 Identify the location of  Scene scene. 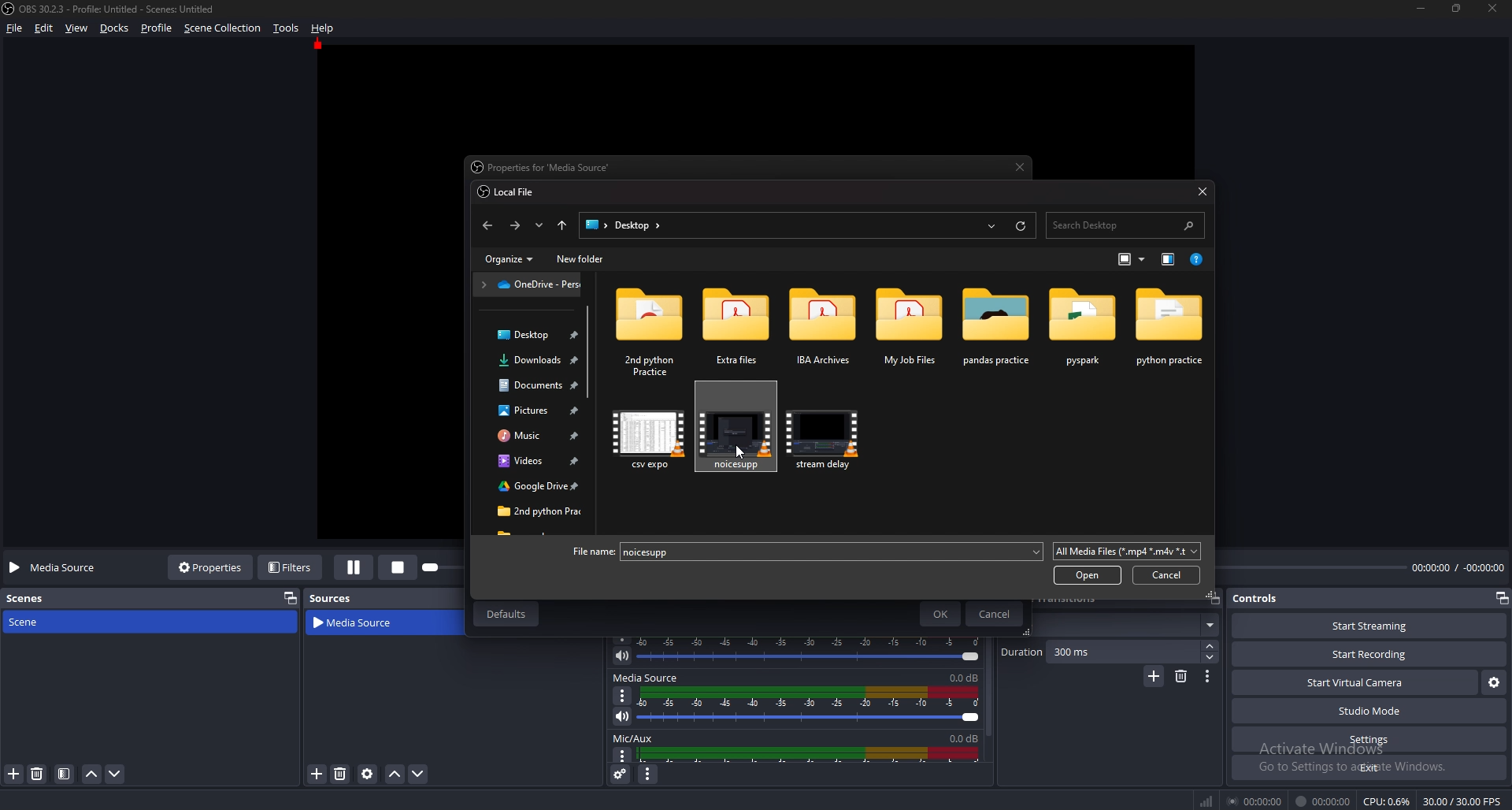
(35, 620).